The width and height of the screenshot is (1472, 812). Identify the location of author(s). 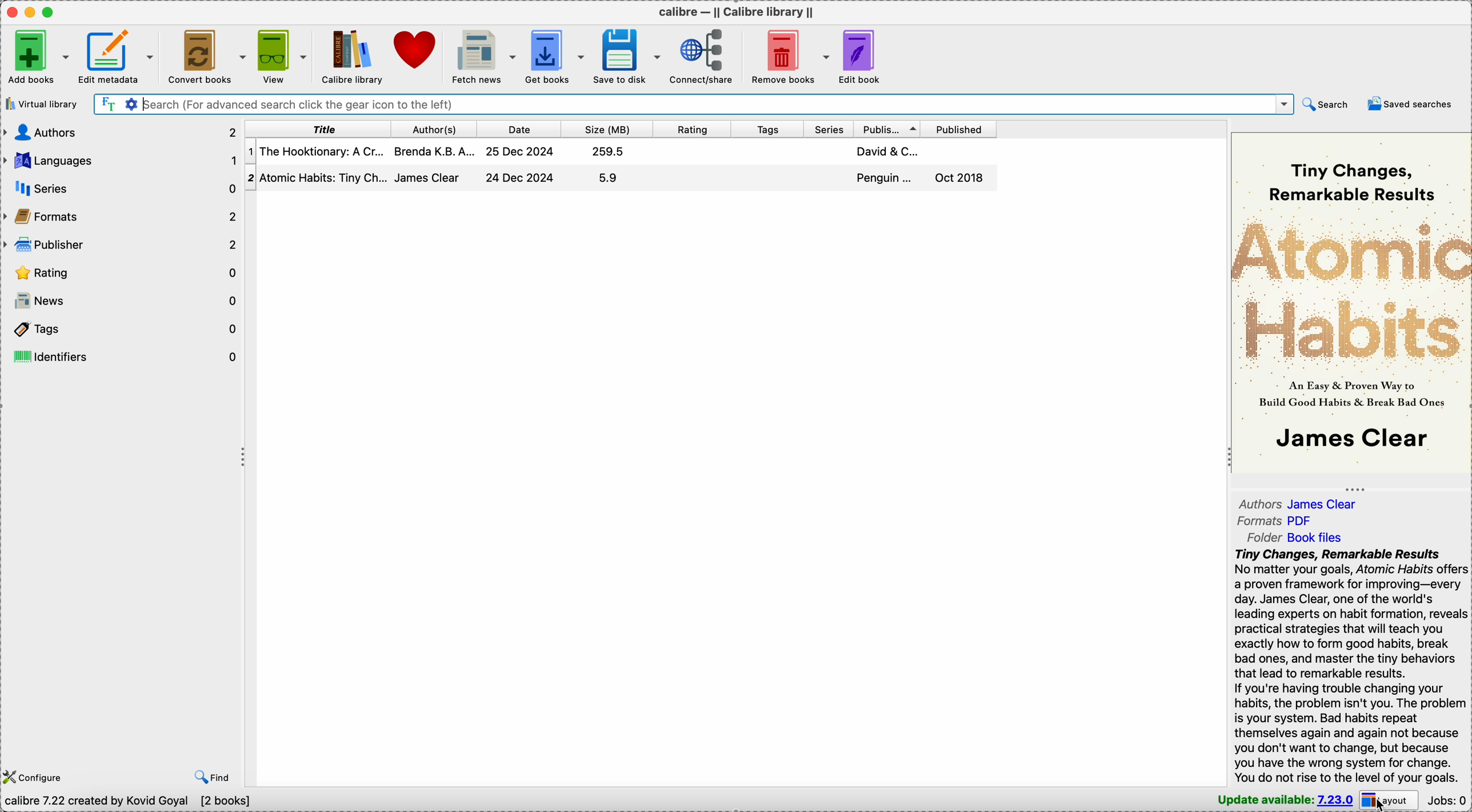
(434, 130).